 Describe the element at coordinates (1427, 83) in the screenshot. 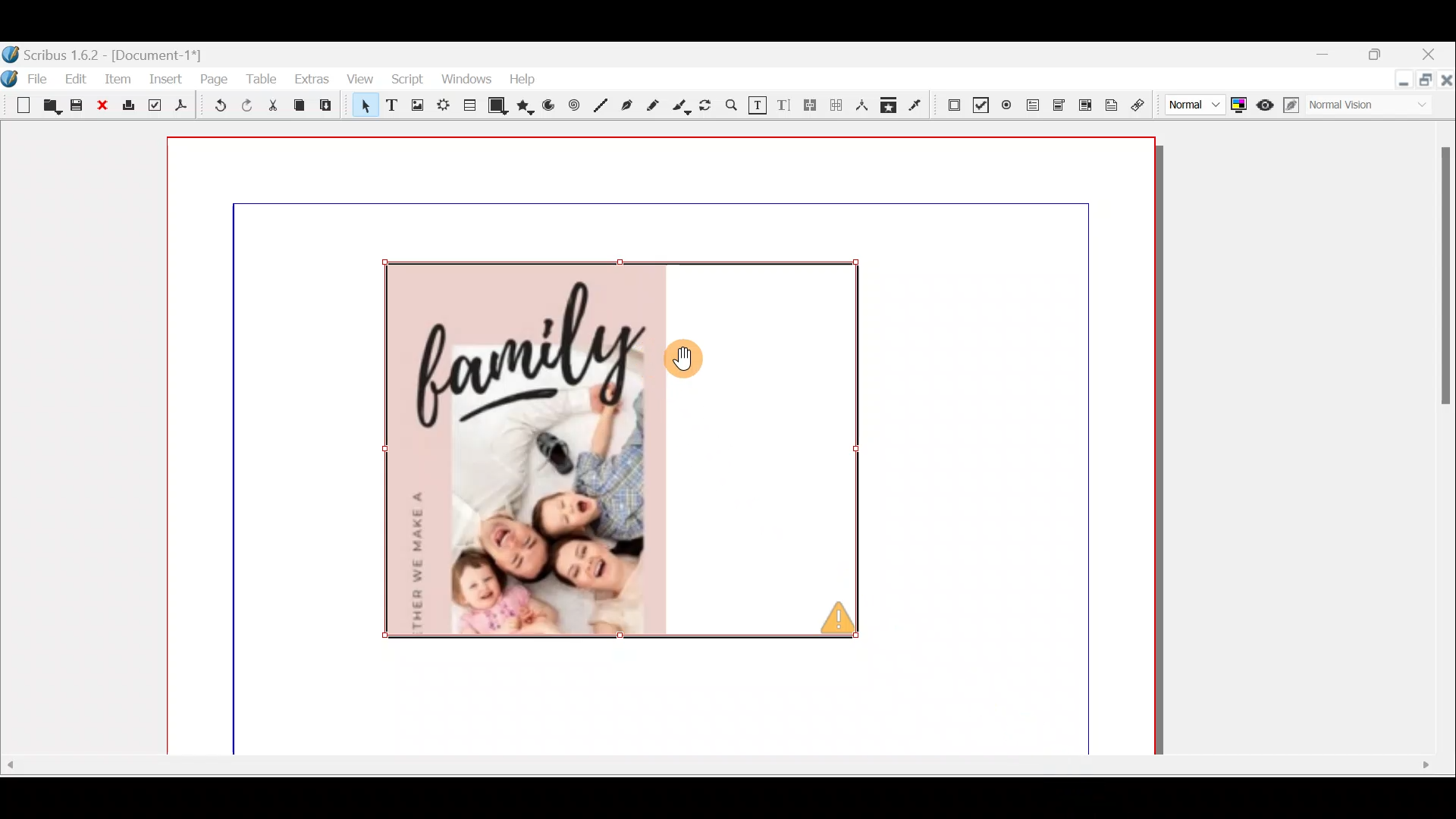

I see `Maximise` at that location.